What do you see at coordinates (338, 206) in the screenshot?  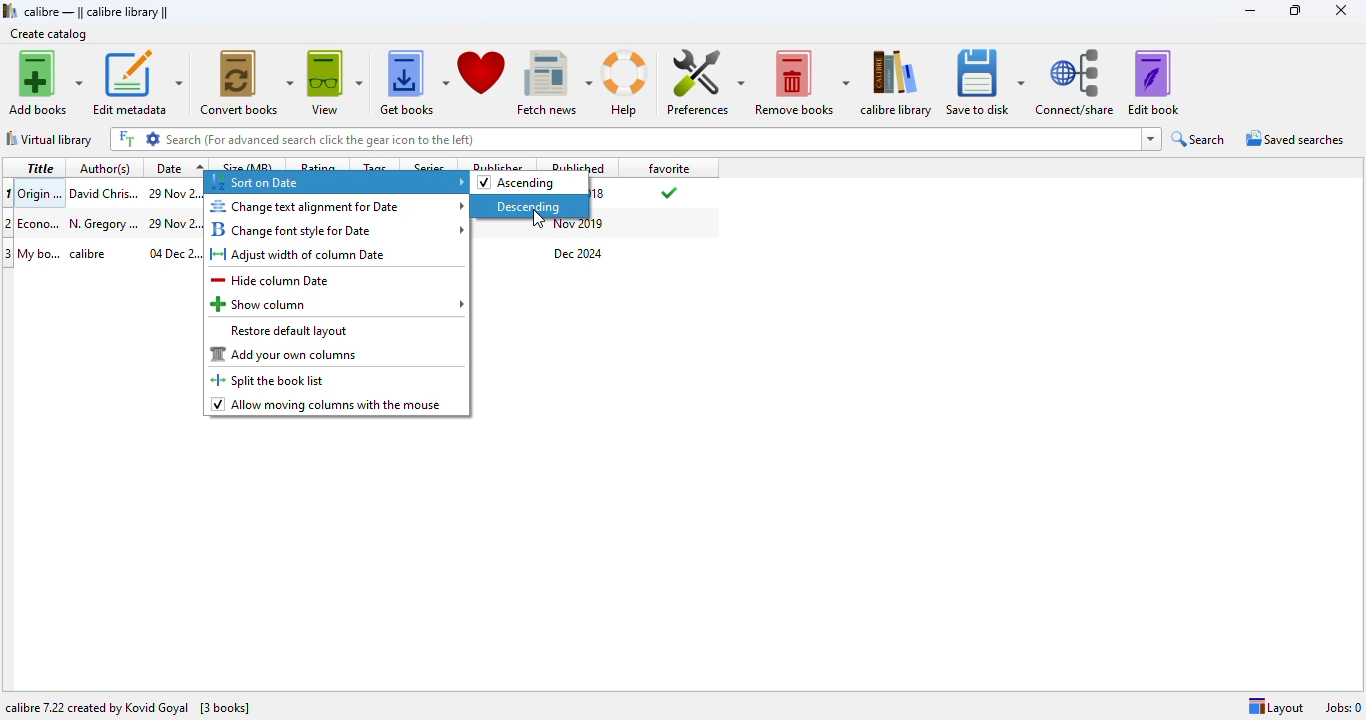 I see `change text alignment for date` at bounding box center [338, 206].